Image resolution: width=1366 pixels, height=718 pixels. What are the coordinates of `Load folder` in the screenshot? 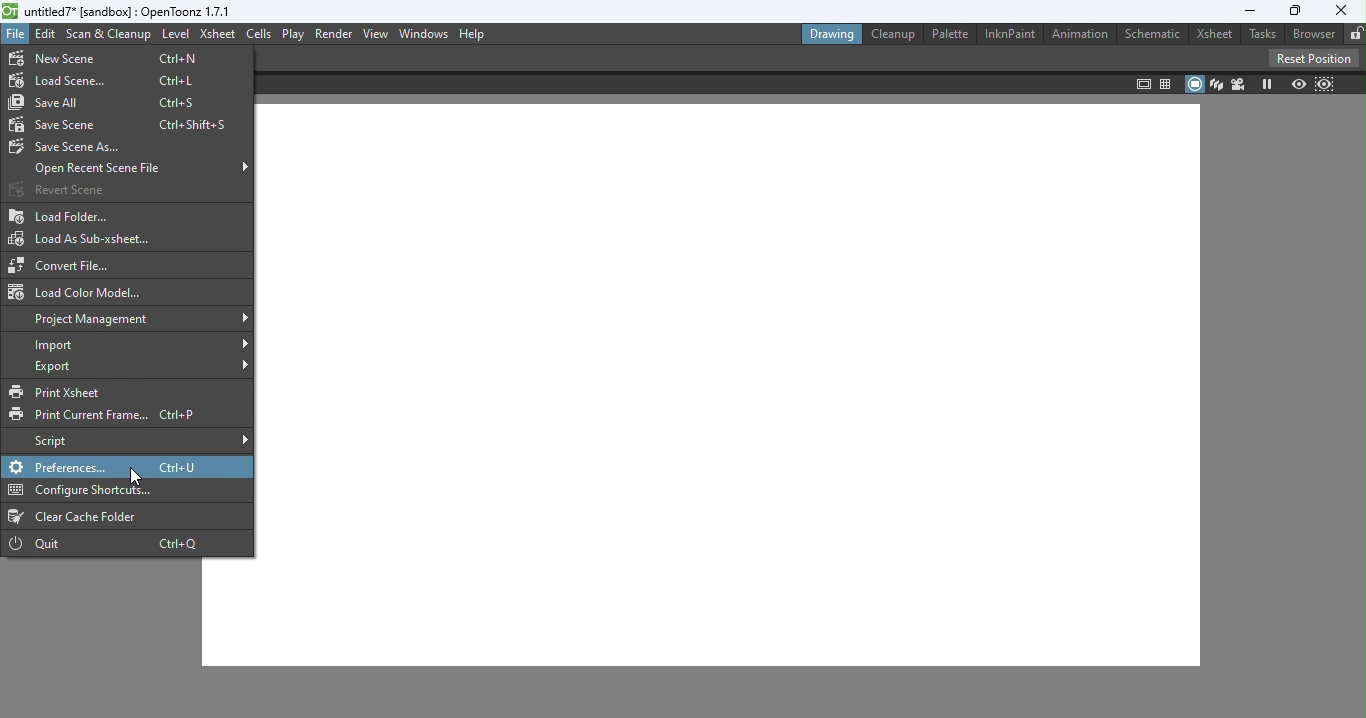 It's located at (64, 216).